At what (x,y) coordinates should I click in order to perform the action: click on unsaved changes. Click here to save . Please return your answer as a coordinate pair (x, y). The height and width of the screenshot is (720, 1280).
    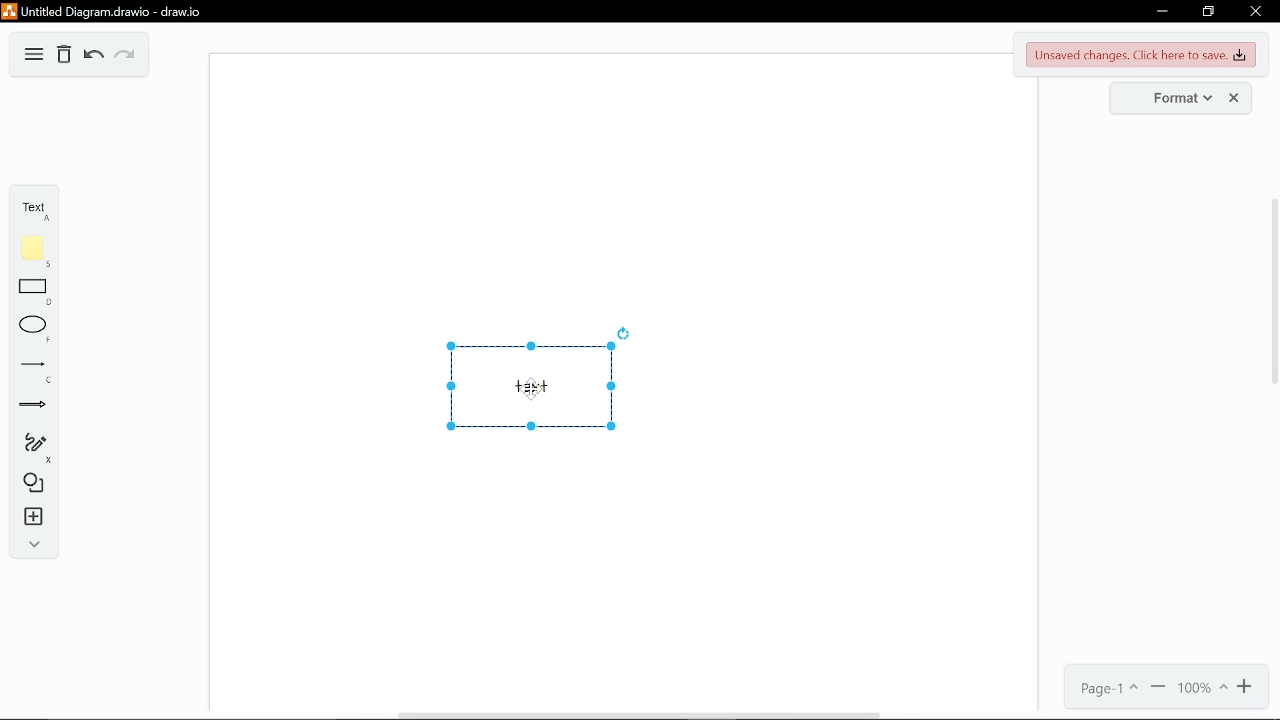
    Looking at the image, I should click on (1138, 55).